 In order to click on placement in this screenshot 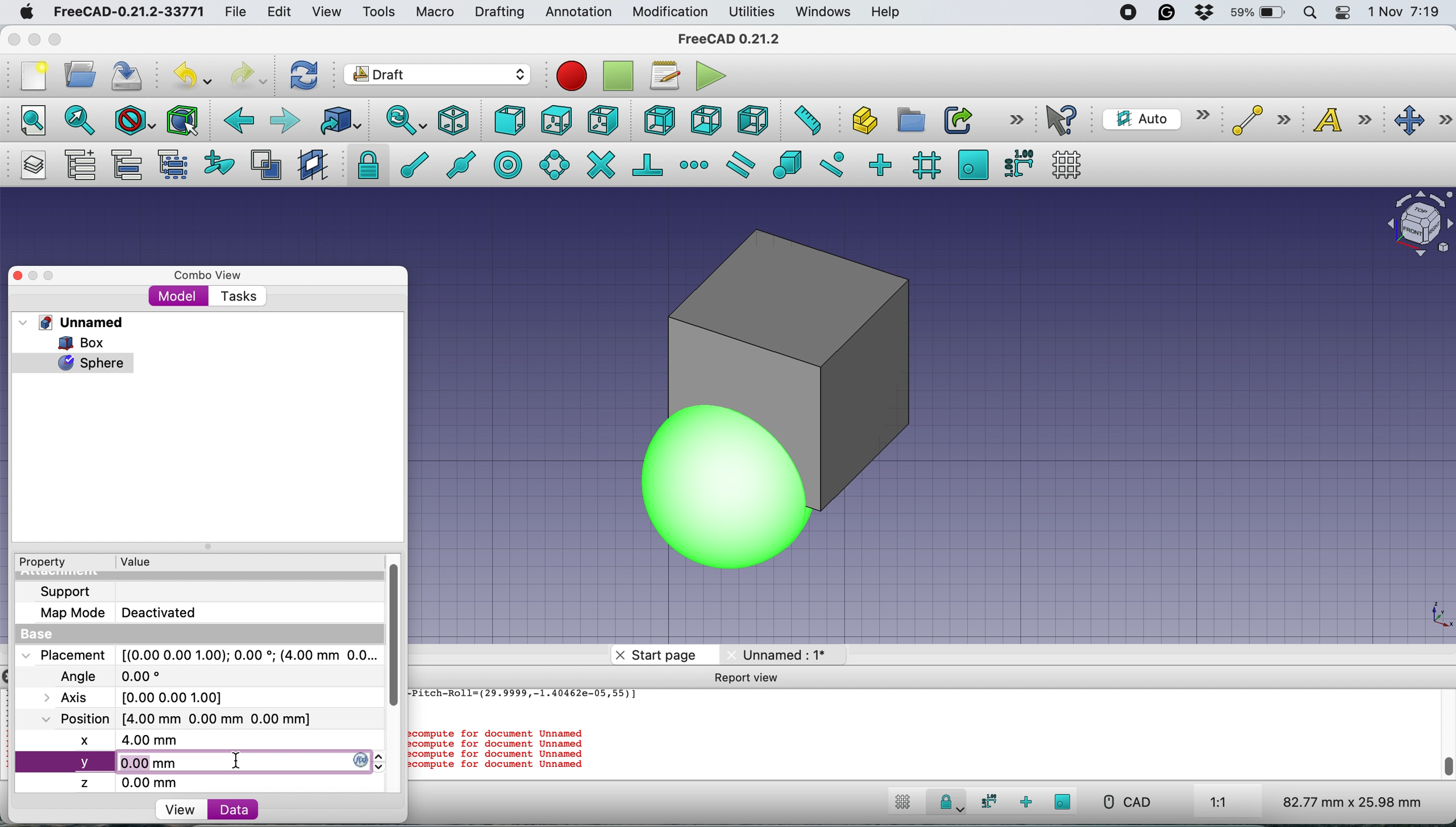, I will do `click(198, 654)`.